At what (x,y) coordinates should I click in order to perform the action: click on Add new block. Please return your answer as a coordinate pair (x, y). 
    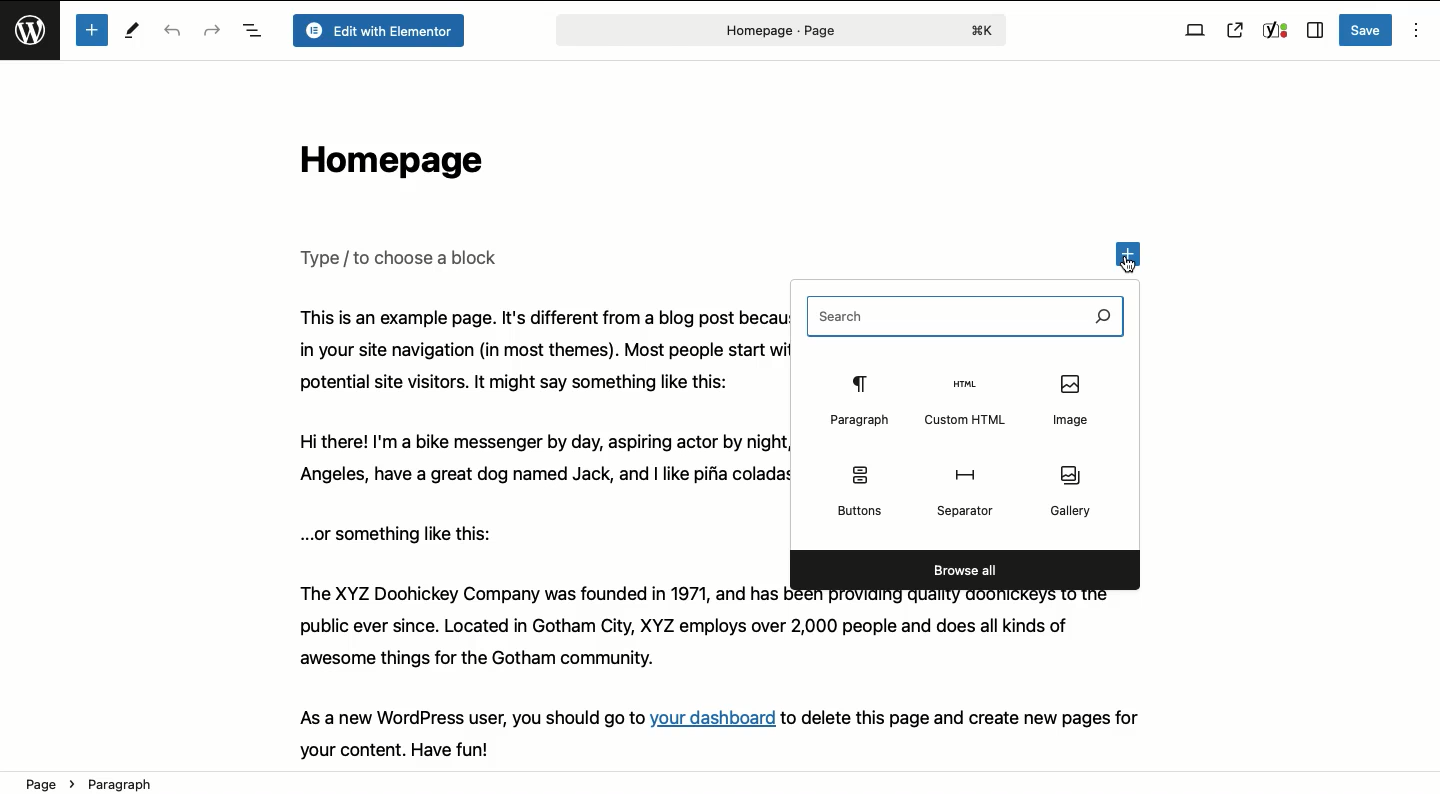
    Looking at the image, I should click on (1133, 252).